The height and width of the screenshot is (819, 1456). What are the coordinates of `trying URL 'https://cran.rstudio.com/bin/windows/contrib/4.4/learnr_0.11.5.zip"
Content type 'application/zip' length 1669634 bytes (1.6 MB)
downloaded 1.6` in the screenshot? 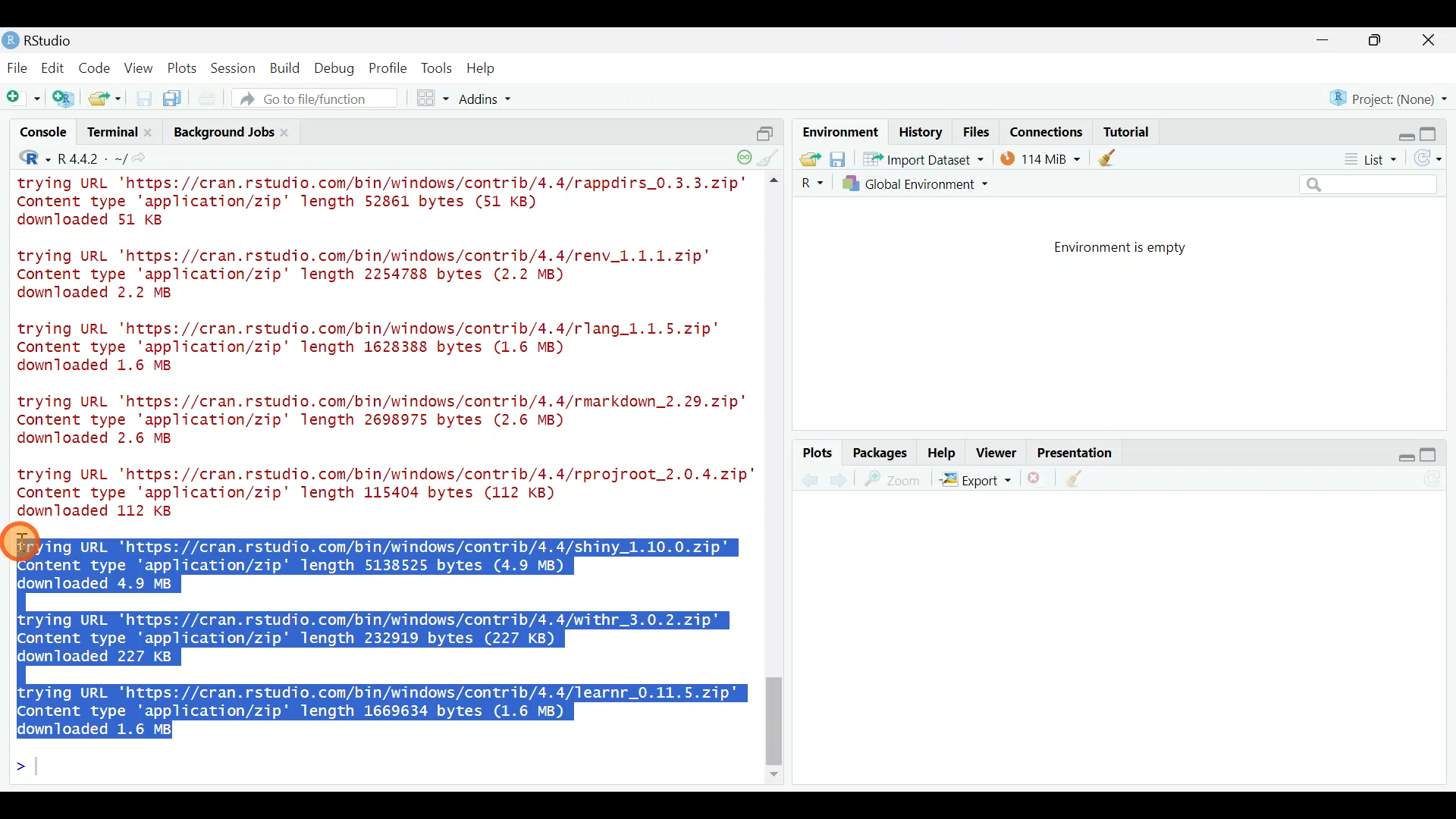 It's located at (384, 708).